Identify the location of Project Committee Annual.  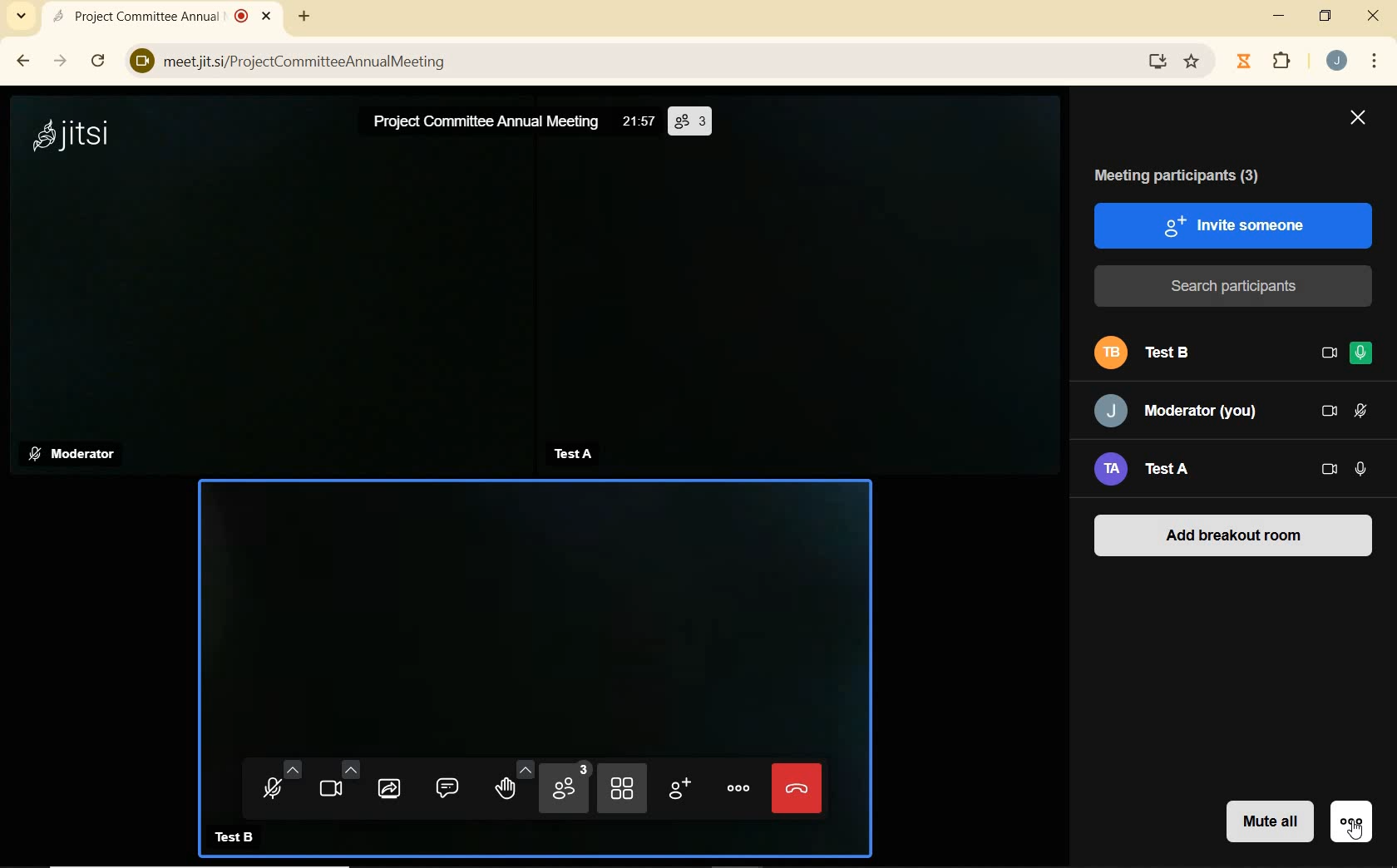
(169, 17).